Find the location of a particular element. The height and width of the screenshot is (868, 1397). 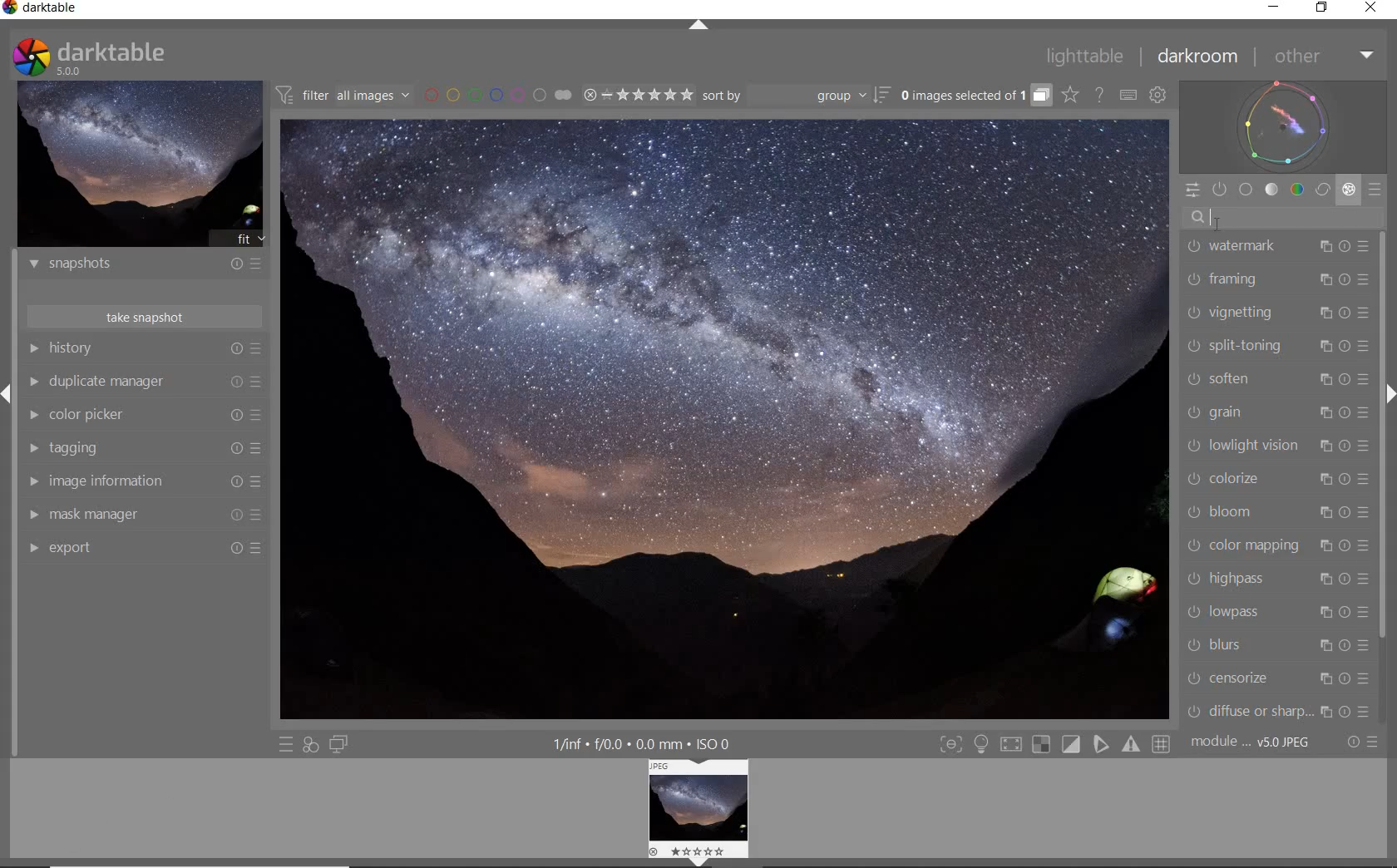

WAVEFORM is located at coordinates (1284, 126).